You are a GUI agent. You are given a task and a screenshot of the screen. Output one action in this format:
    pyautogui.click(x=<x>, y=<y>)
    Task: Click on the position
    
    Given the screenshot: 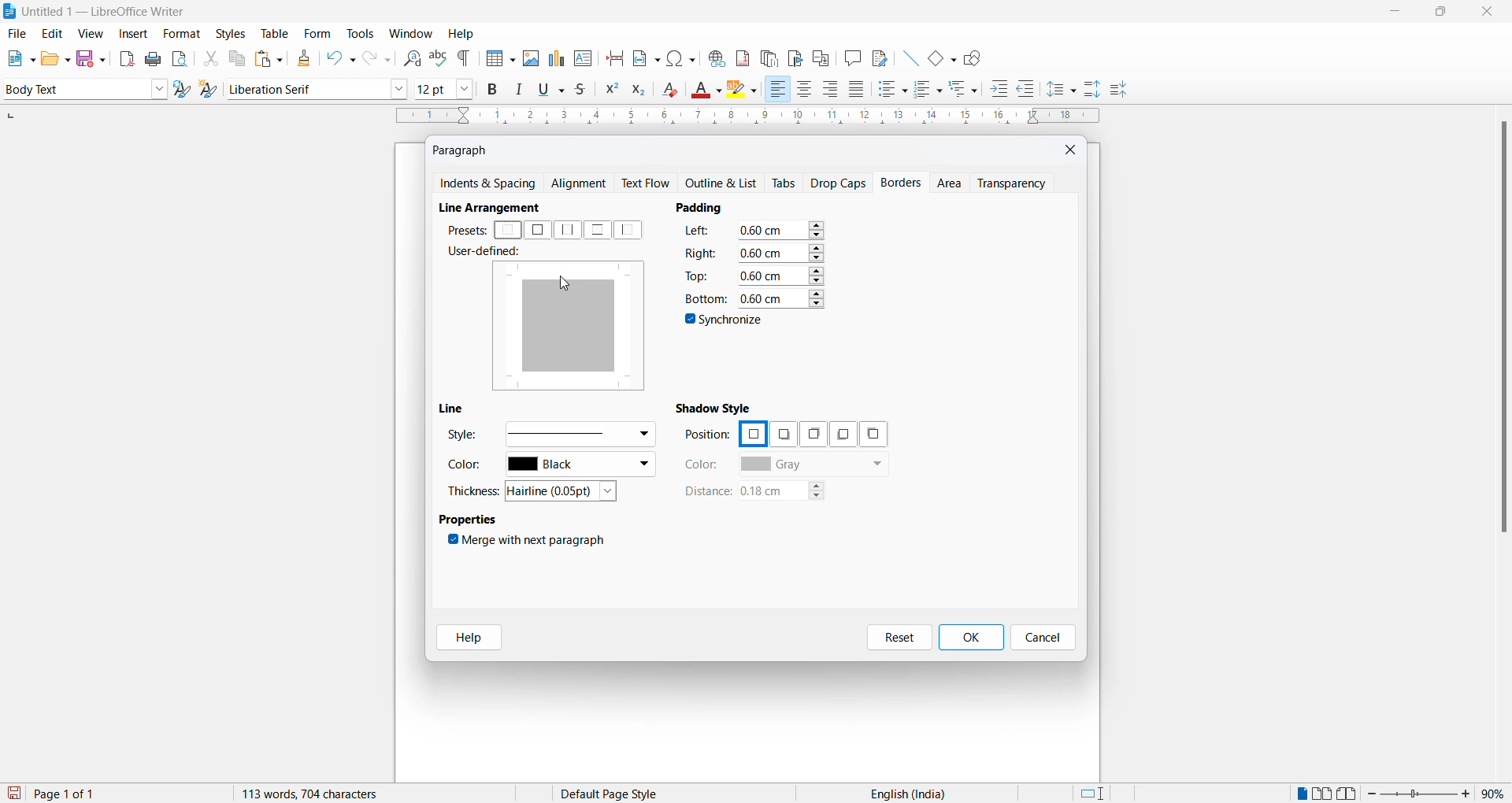 What is the action you would take?
    pyautogui.click(x=707, y=435)
    